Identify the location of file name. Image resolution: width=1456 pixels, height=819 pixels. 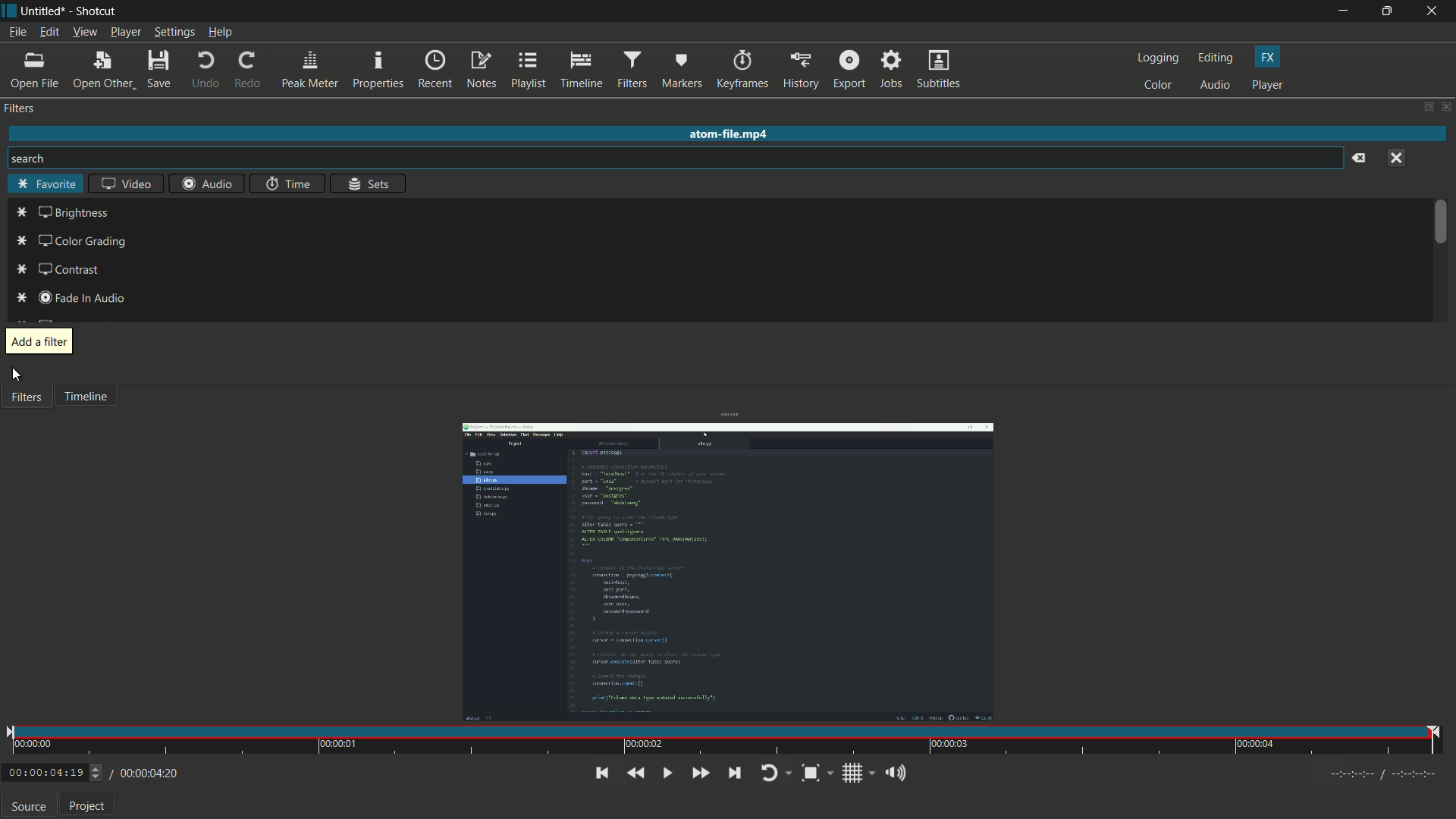
(40, 12).